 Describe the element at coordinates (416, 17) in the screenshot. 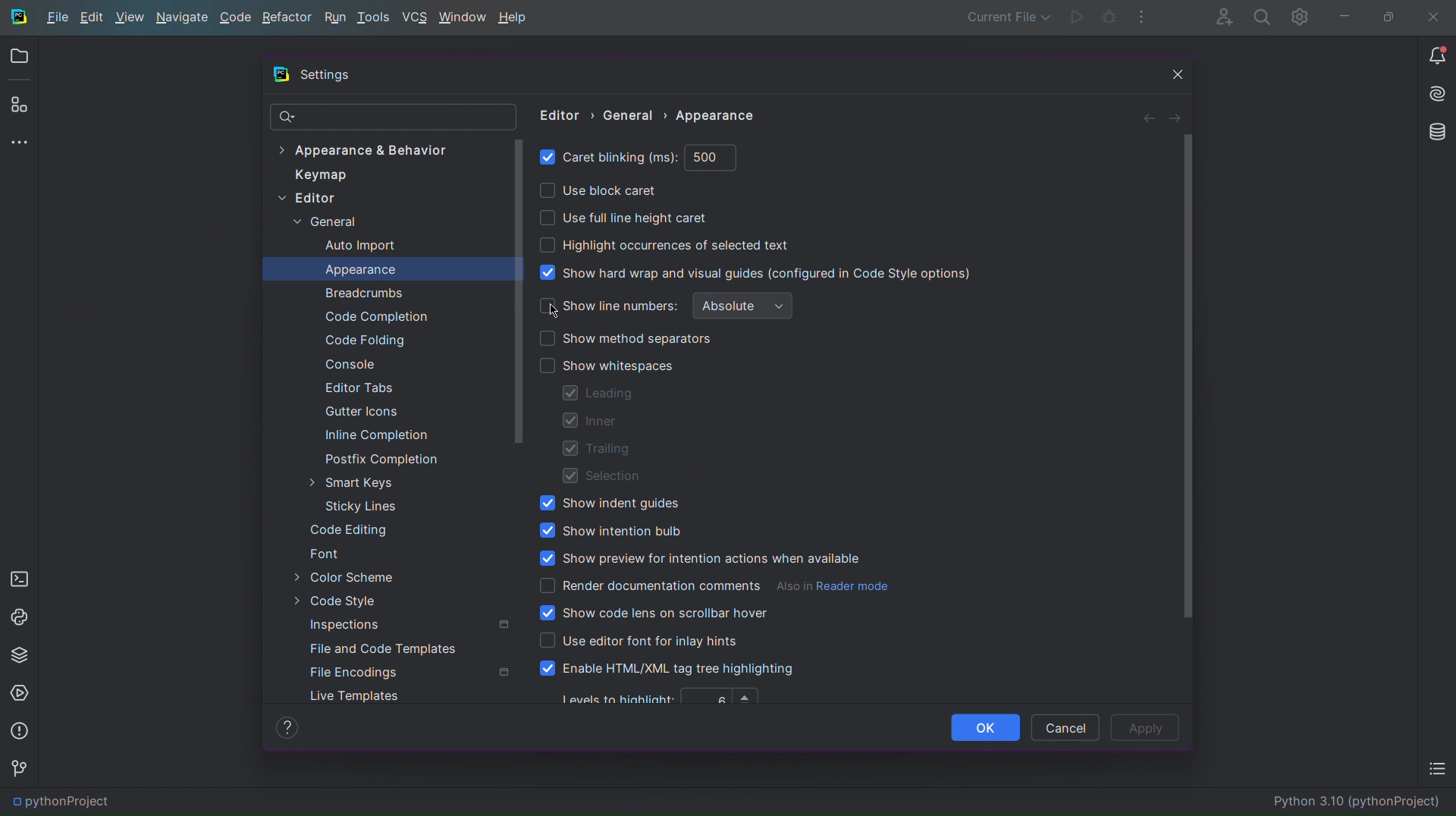

I see `VCS` at that location.